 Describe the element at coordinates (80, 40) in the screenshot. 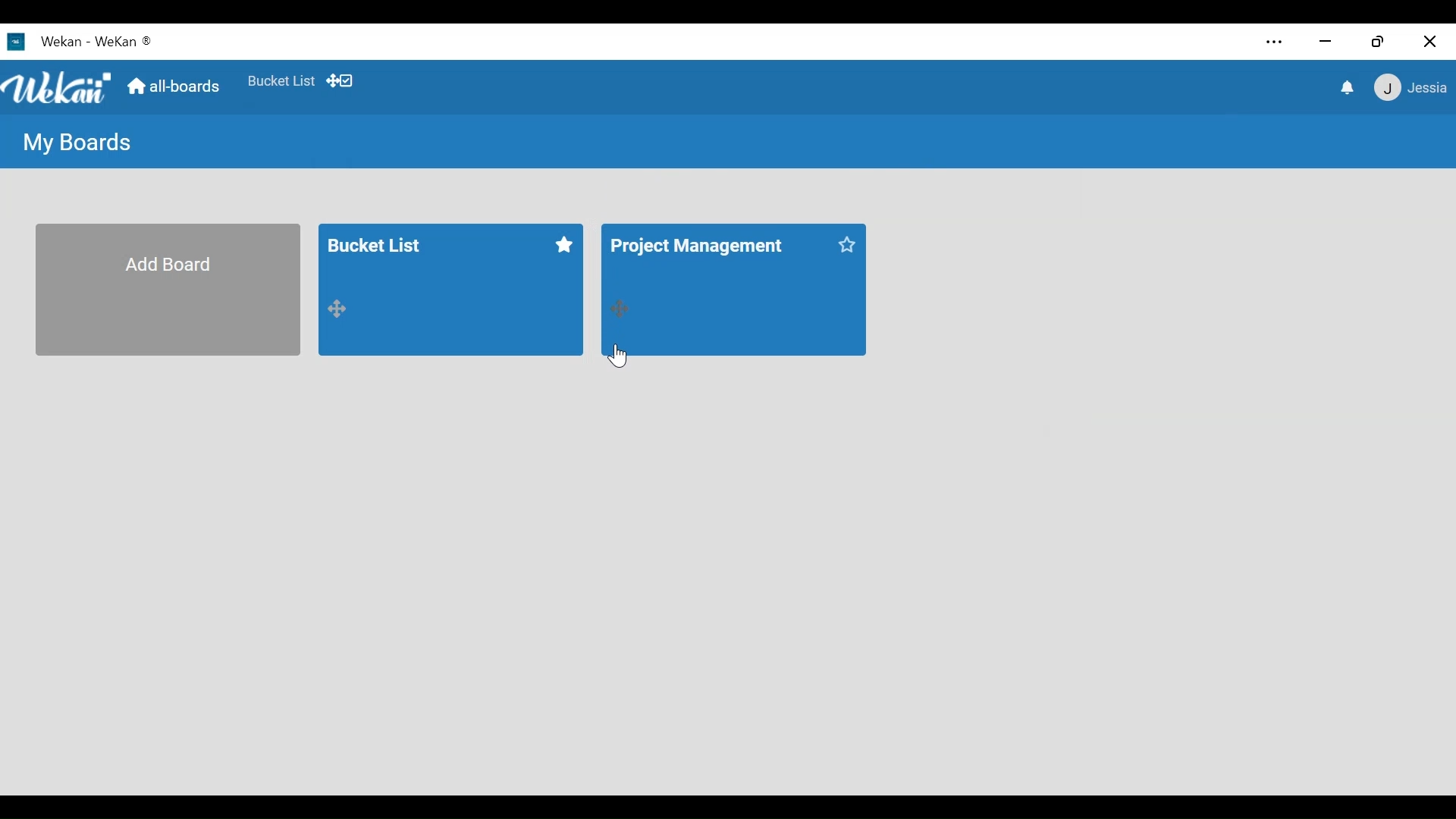

I see `Wekan Desktop Icon` at that location.